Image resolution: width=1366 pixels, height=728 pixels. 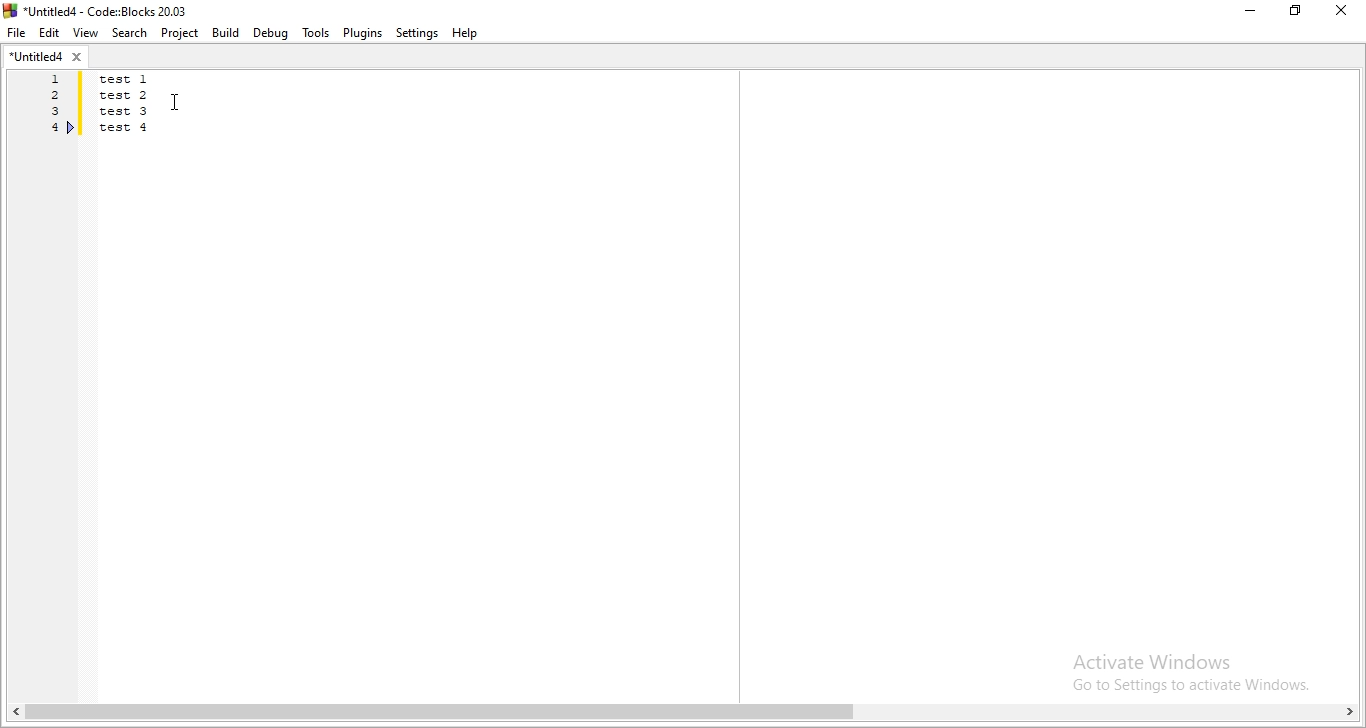 What do you see at coordinates (73, 128) in the screenshot?
I see `boomark line 4` at bounding box center [73, 128].